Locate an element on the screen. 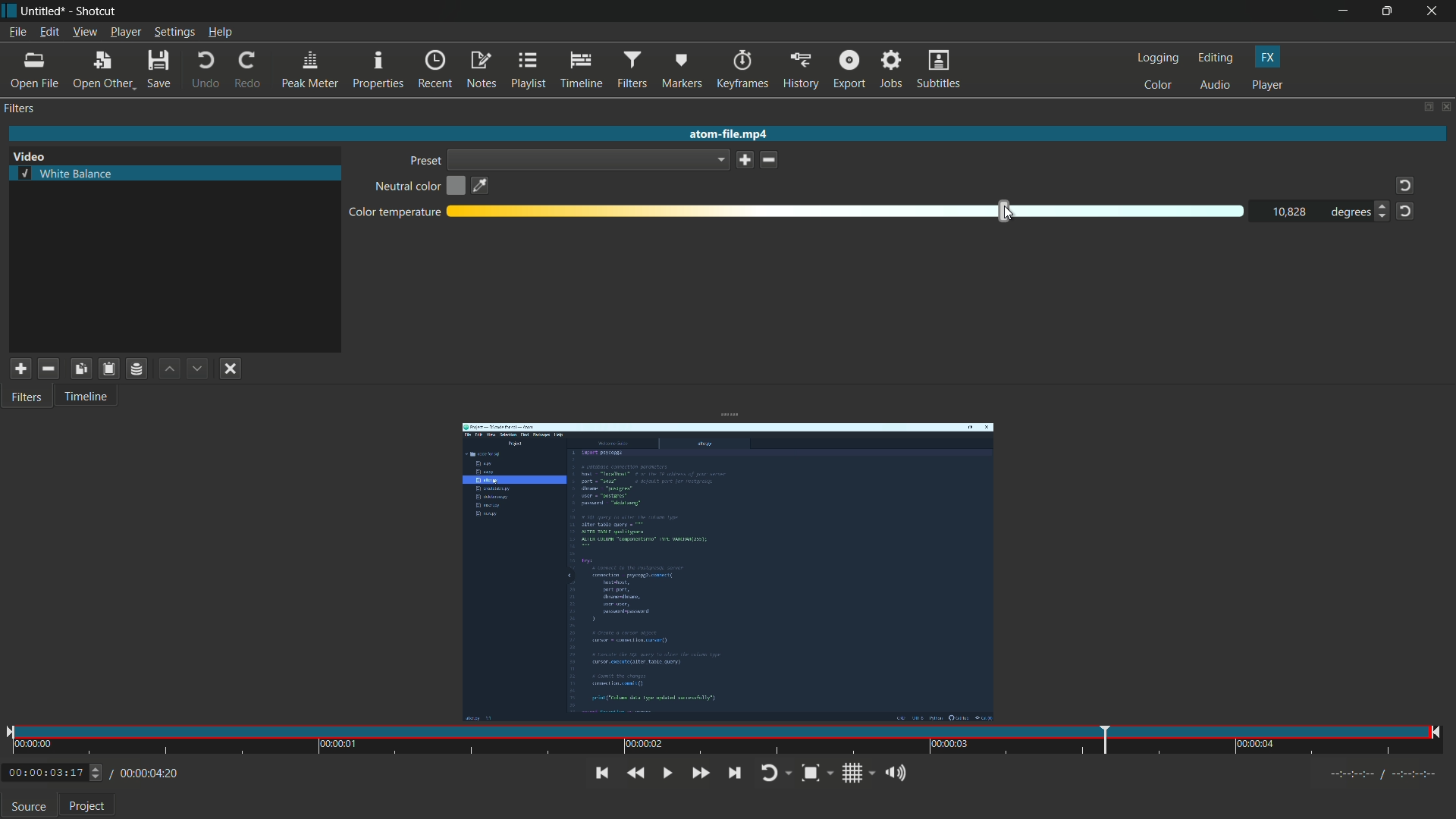  properties is located at coordinates (379, 71).